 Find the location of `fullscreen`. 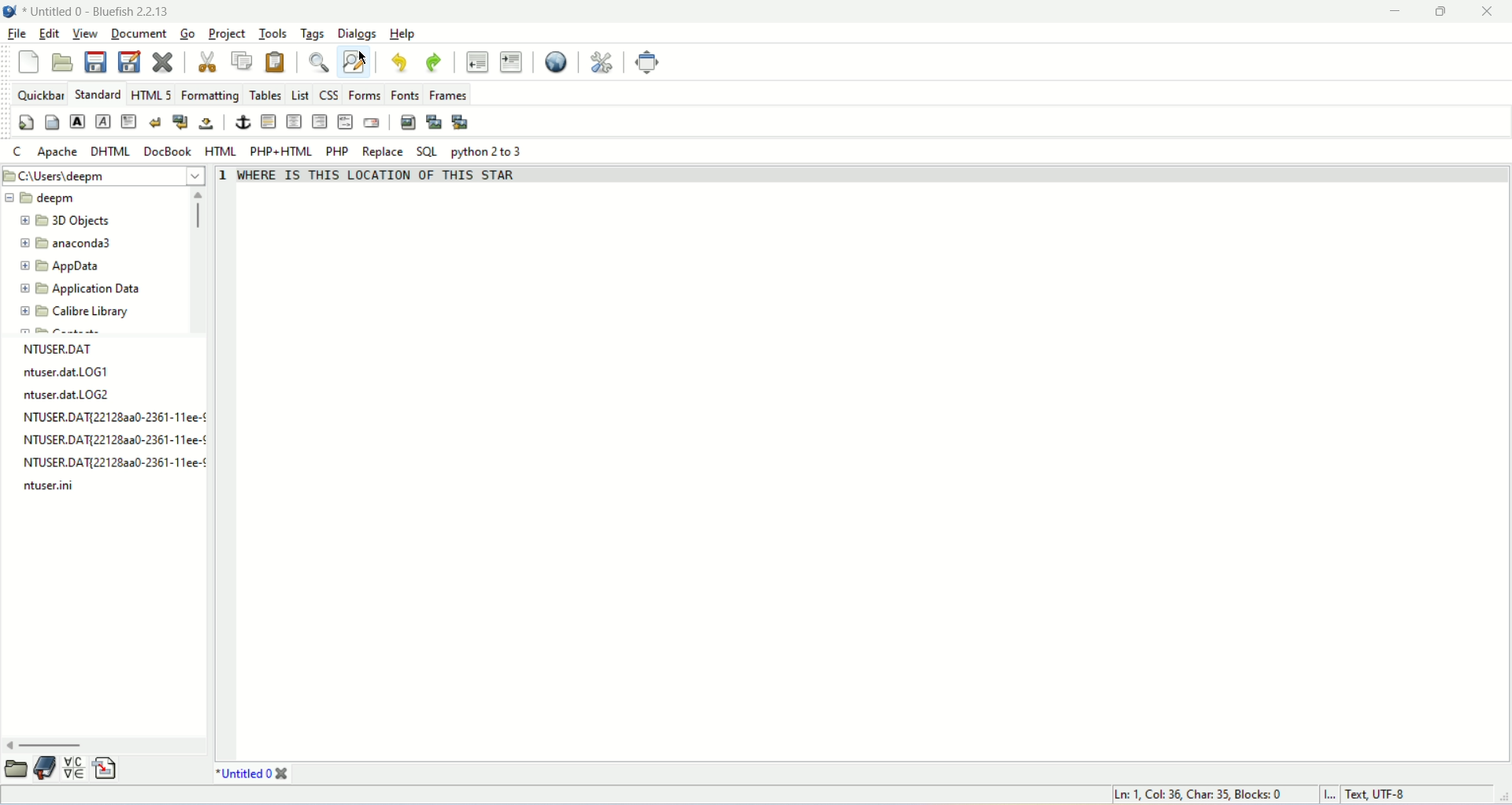

fullscreen is located at coordinates (650, 63).